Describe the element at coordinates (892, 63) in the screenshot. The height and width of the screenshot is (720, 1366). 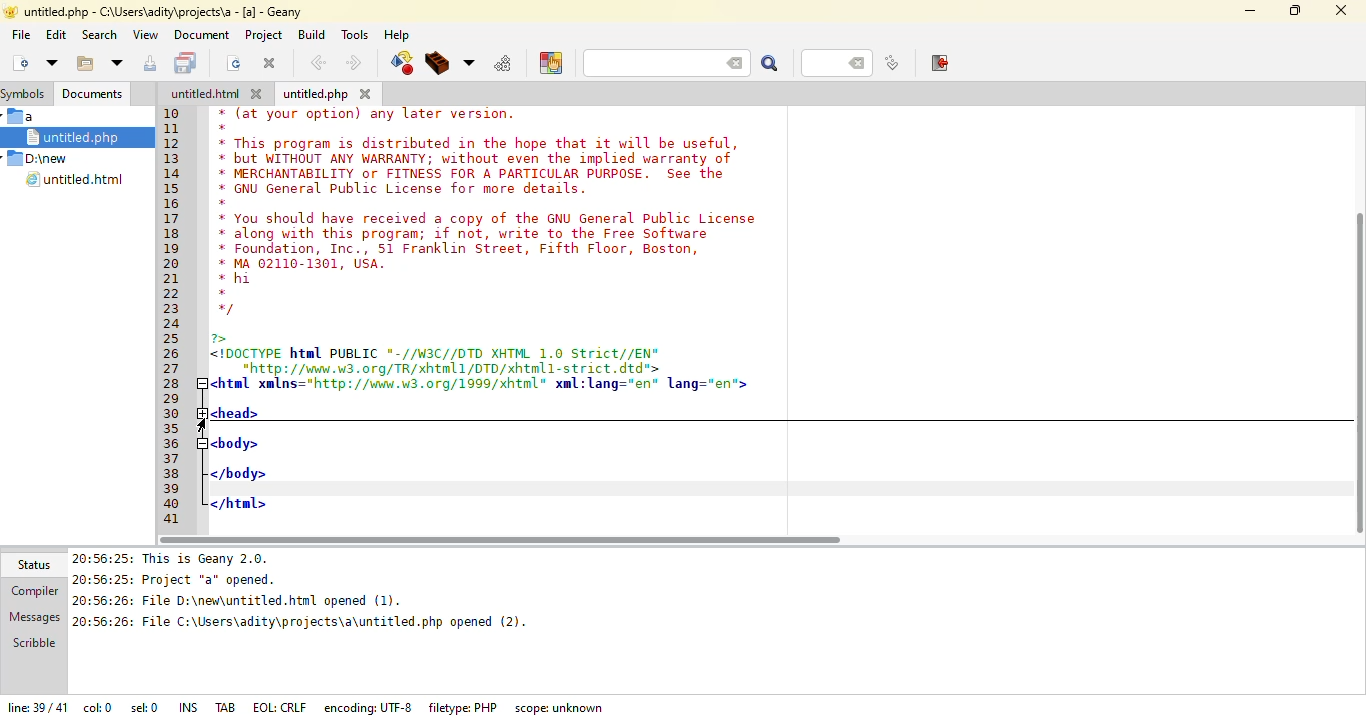
I see `jump` at that location.